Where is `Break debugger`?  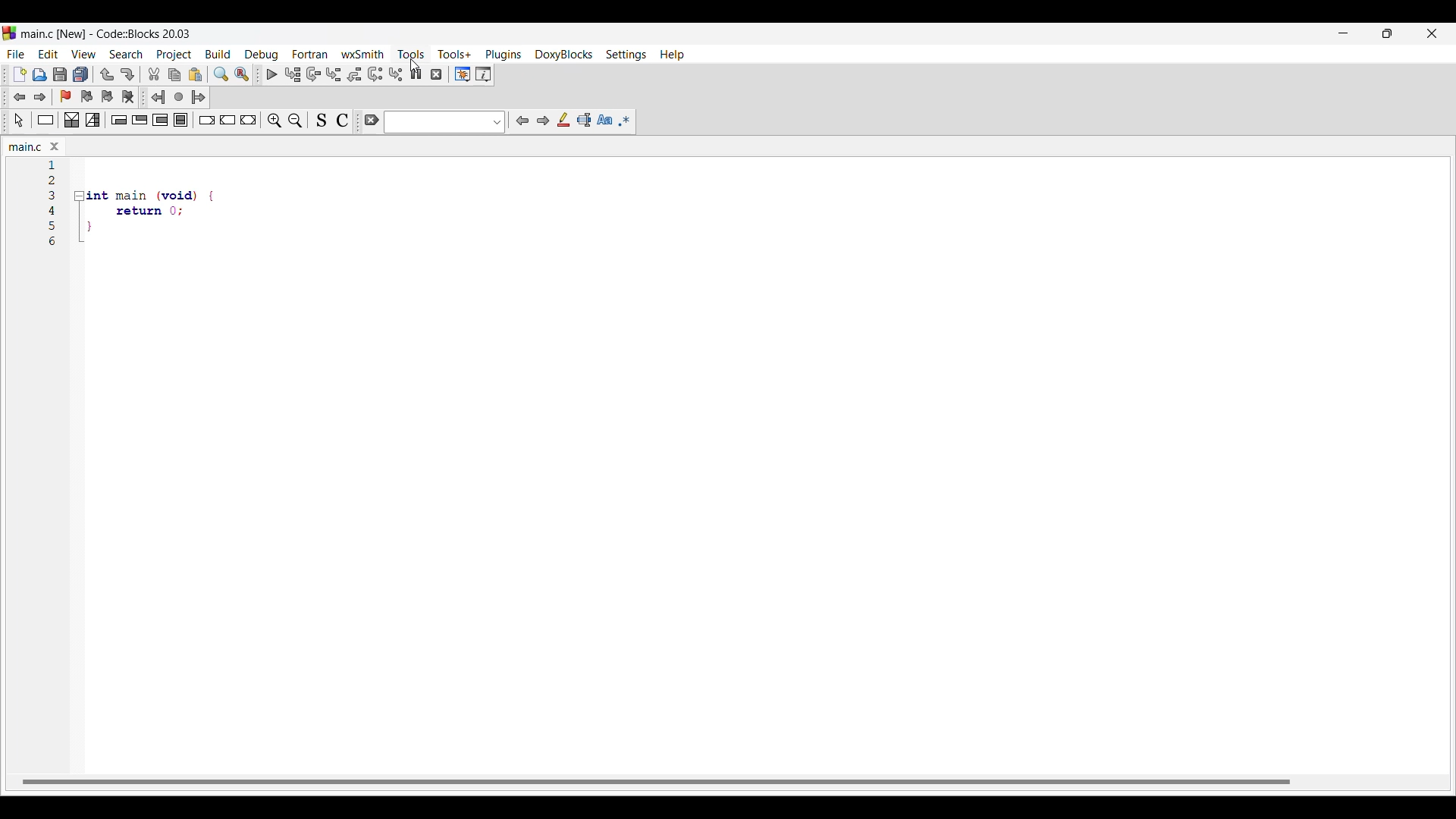 Break debugger is located at coordinates (416, 74).